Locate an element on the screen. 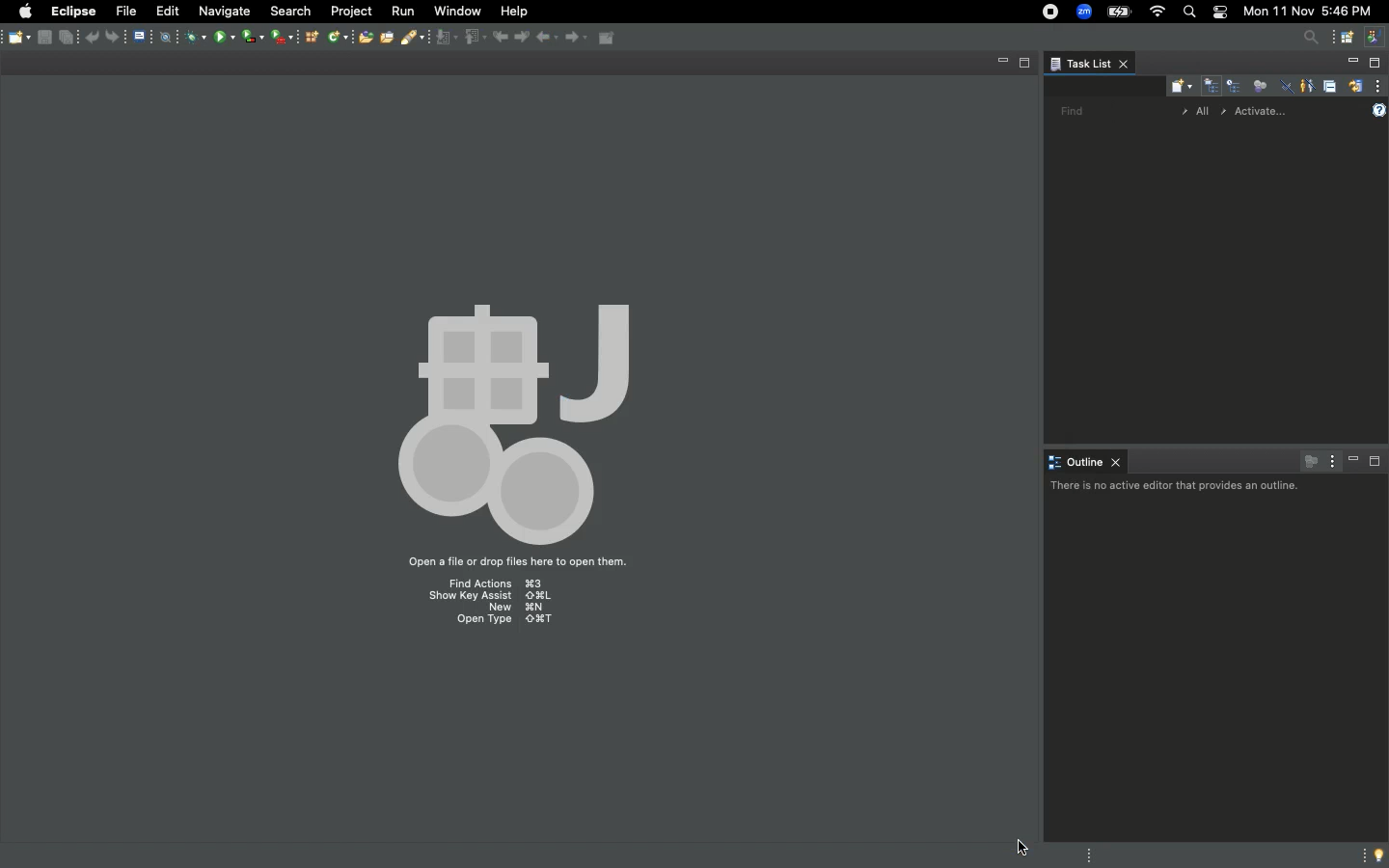 The height and width of the screenshot is (868, 1389). Cursor is located at coordinates (1030, 849).